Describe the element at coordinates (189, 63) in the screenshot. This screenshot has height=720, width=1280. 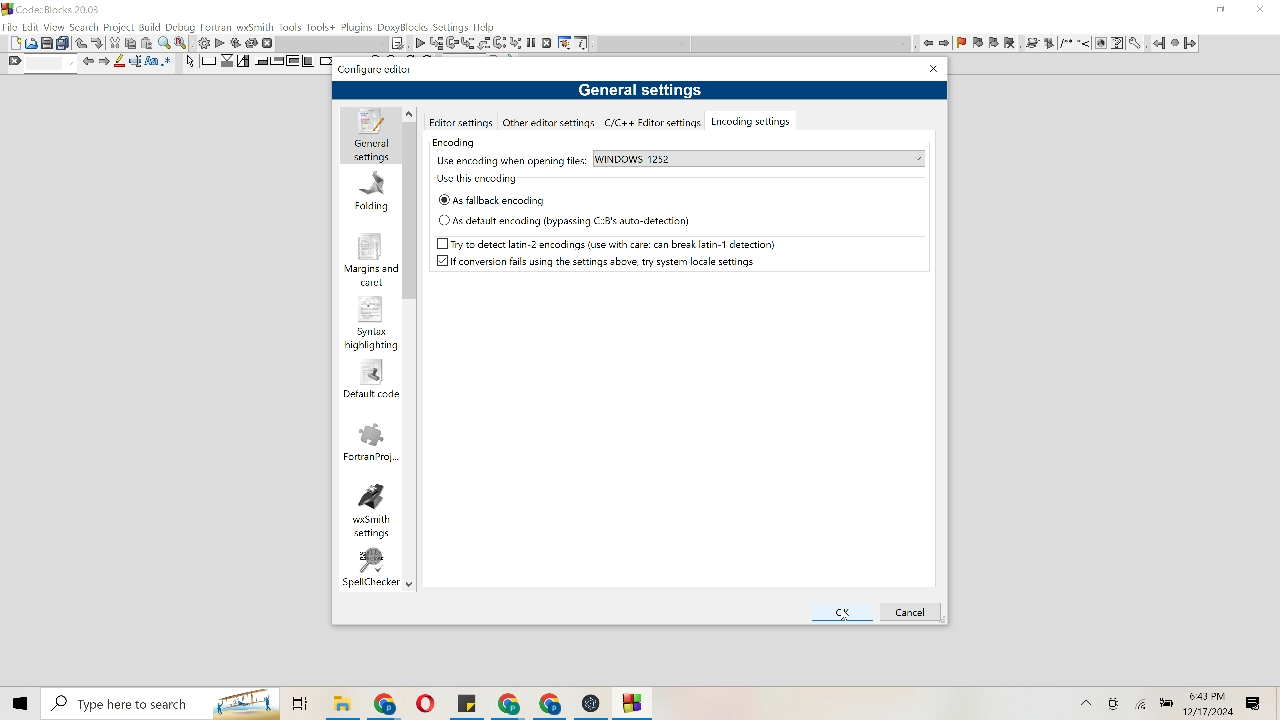
I see `Arrow` at that location.